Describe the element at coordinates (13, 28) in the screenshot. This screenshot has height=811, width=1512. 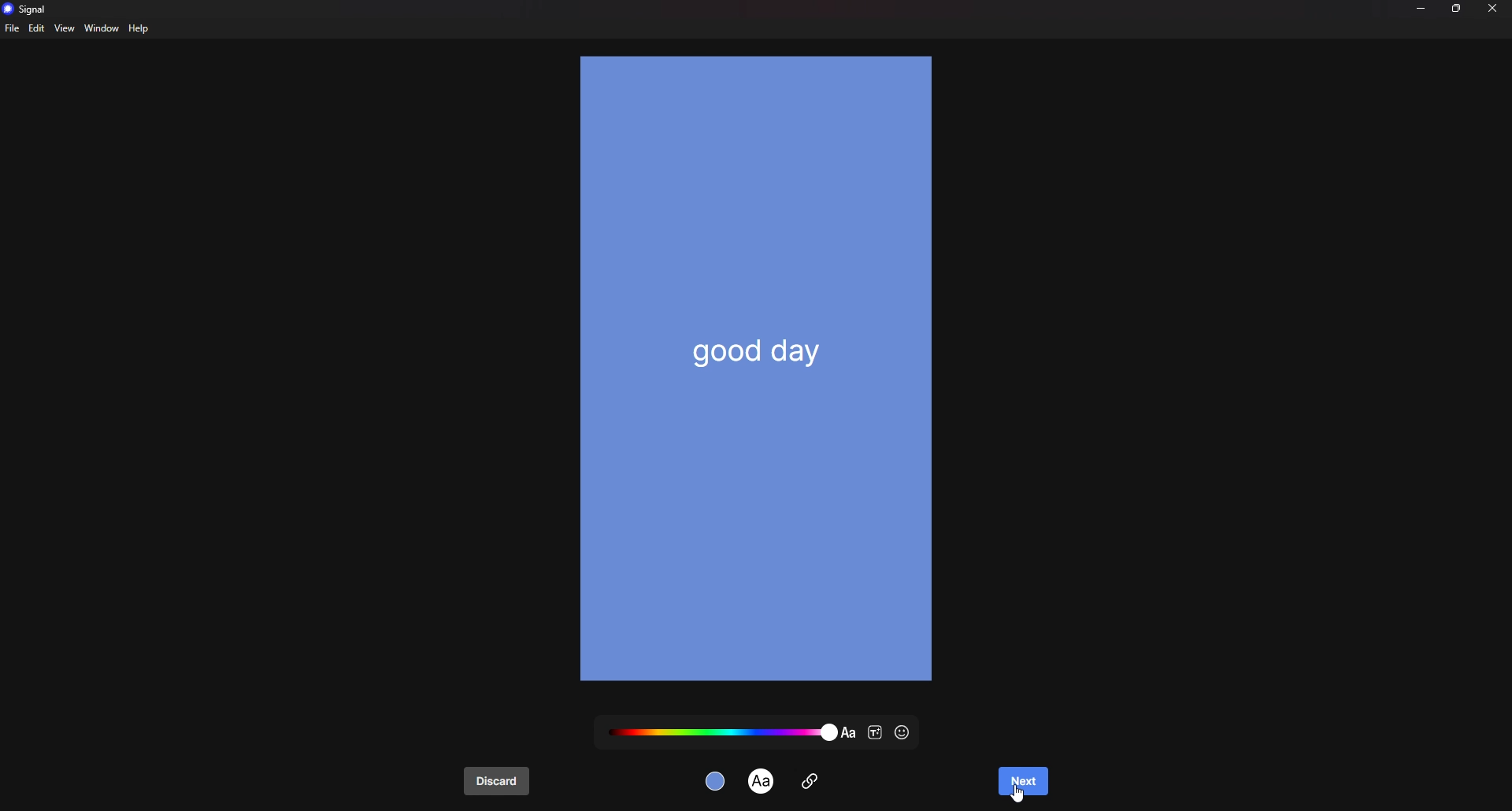
I see `file` at that location.